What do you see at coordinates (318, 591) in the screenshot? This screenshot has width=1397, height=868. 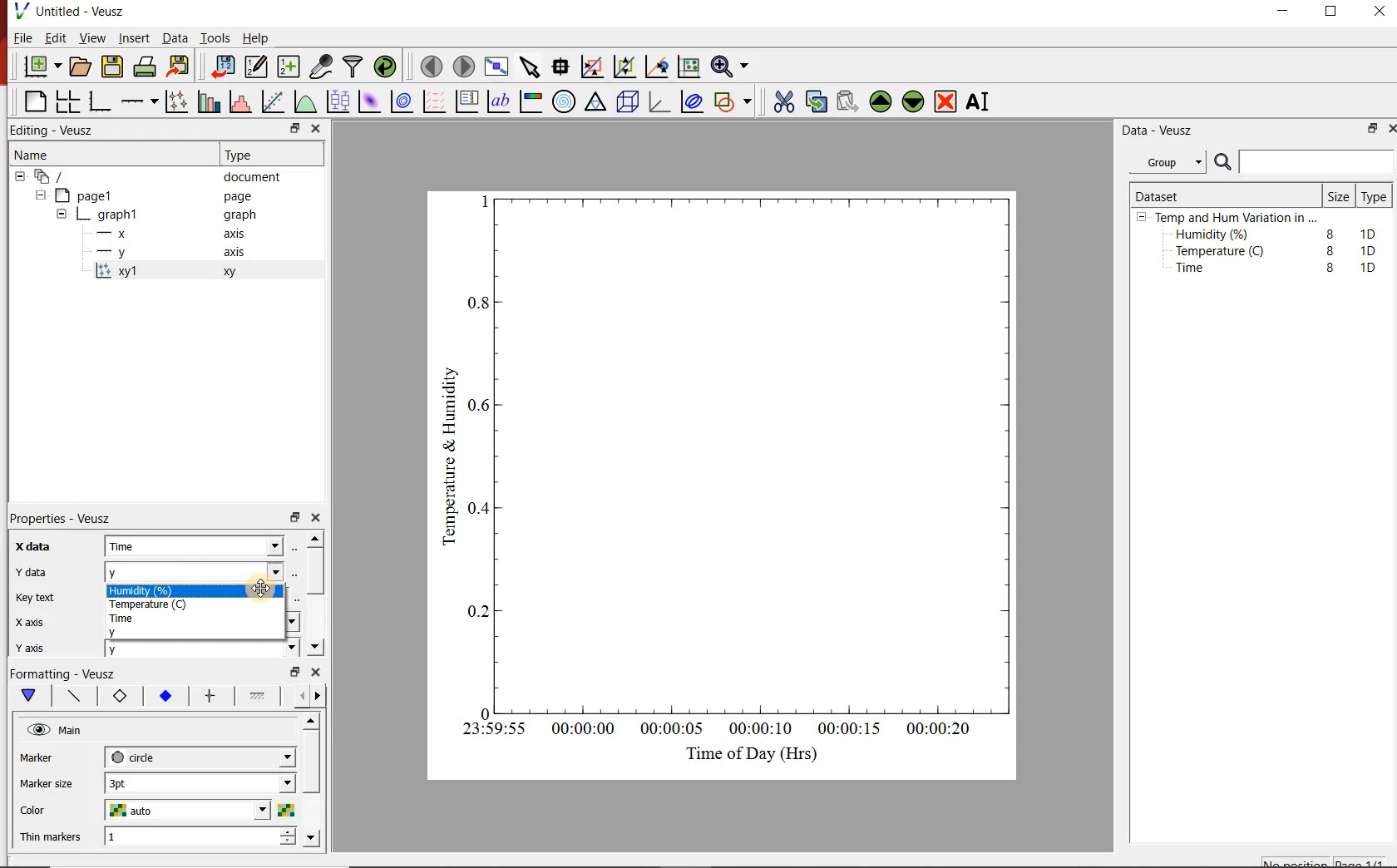 I see `scroll bar` at bounding box center [318, 591].